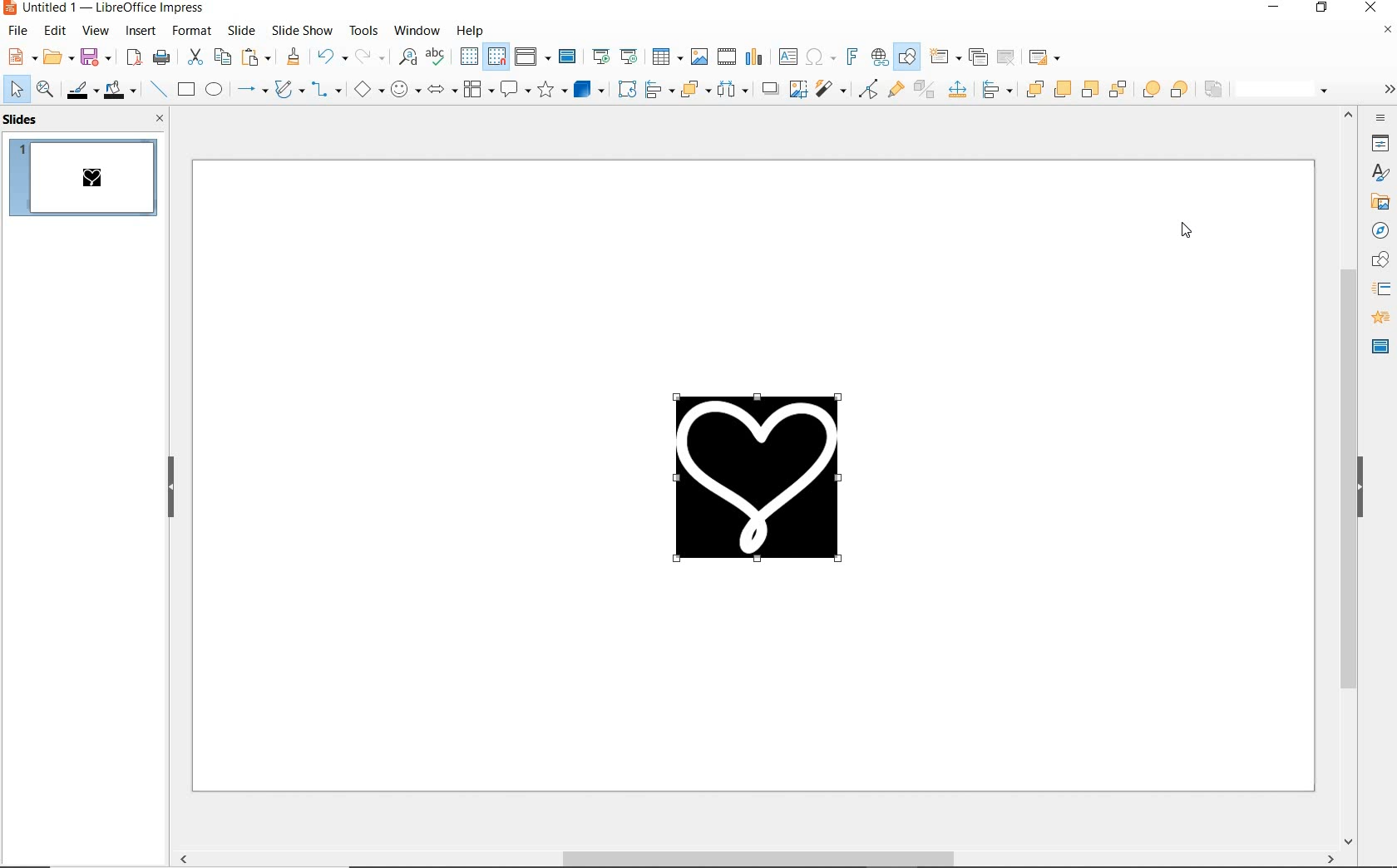 The height and width of the screenshot is (868, 1397). I want to click on cursor, so click(1185, 233).